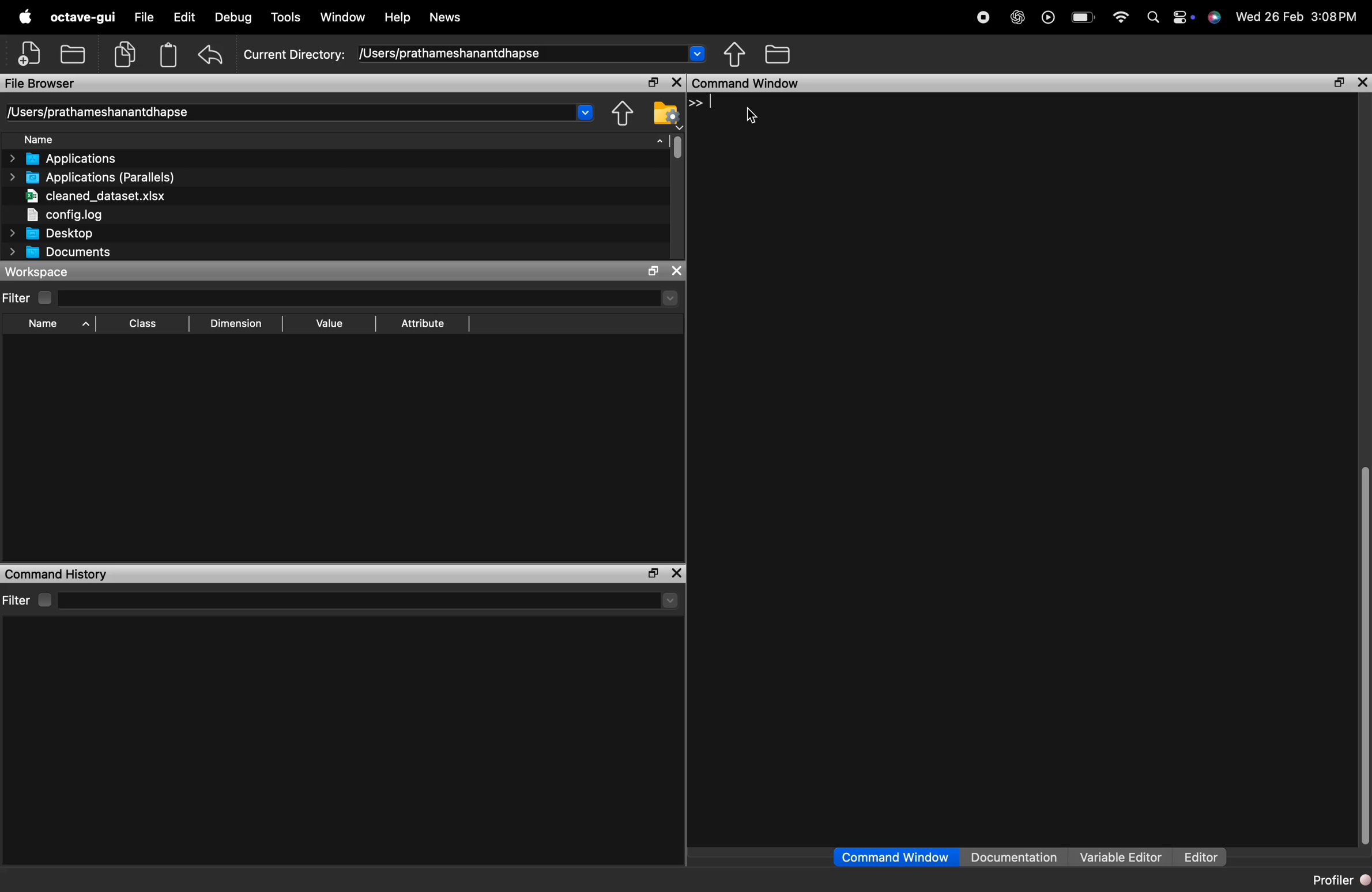  Describe the element at coordinates (92, 177) in the screenshot. I see `Applications (Parallels)` at that location.